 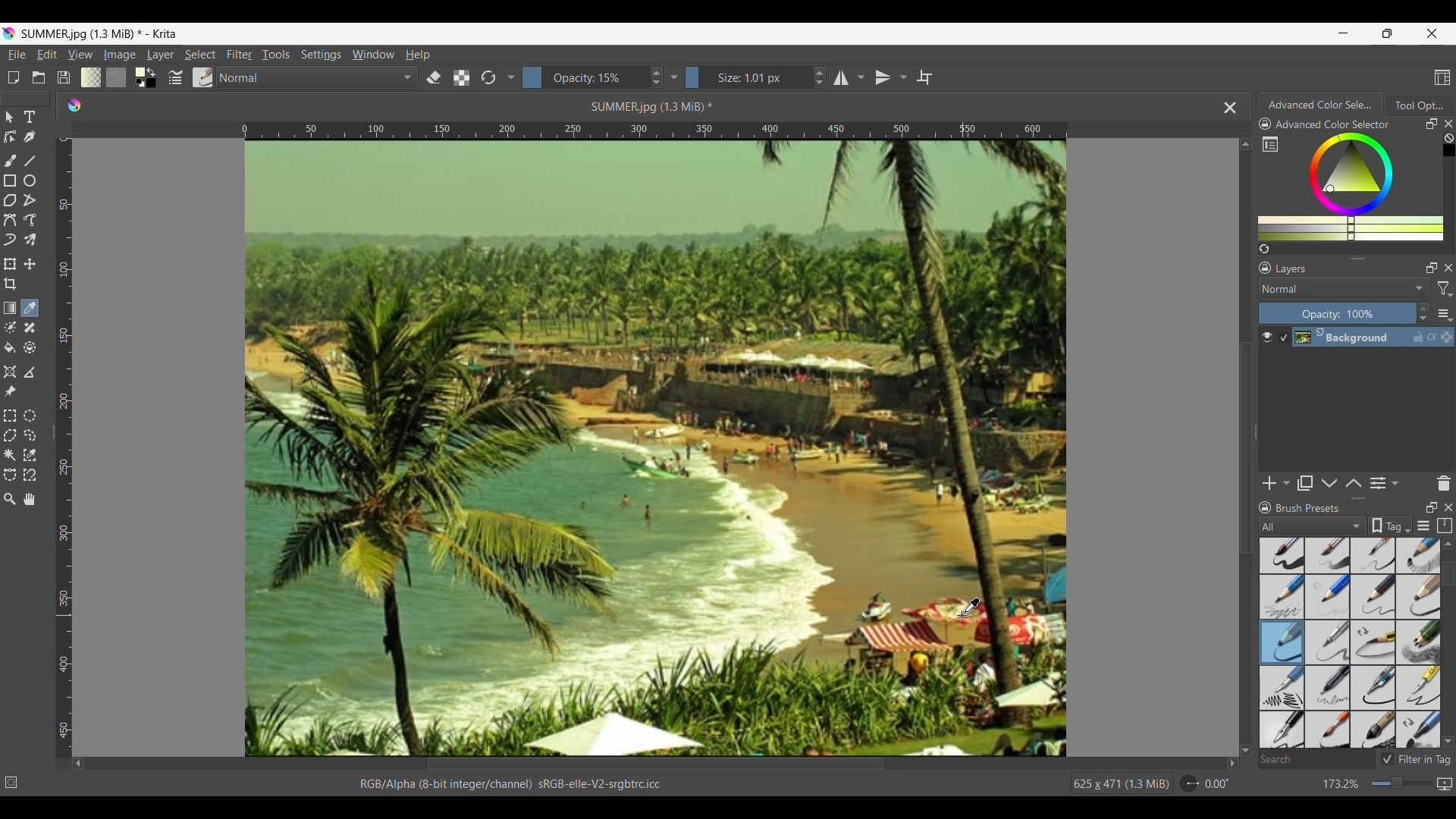 I want to click on Bezier curve selection tool, so click(x=10, y=475).